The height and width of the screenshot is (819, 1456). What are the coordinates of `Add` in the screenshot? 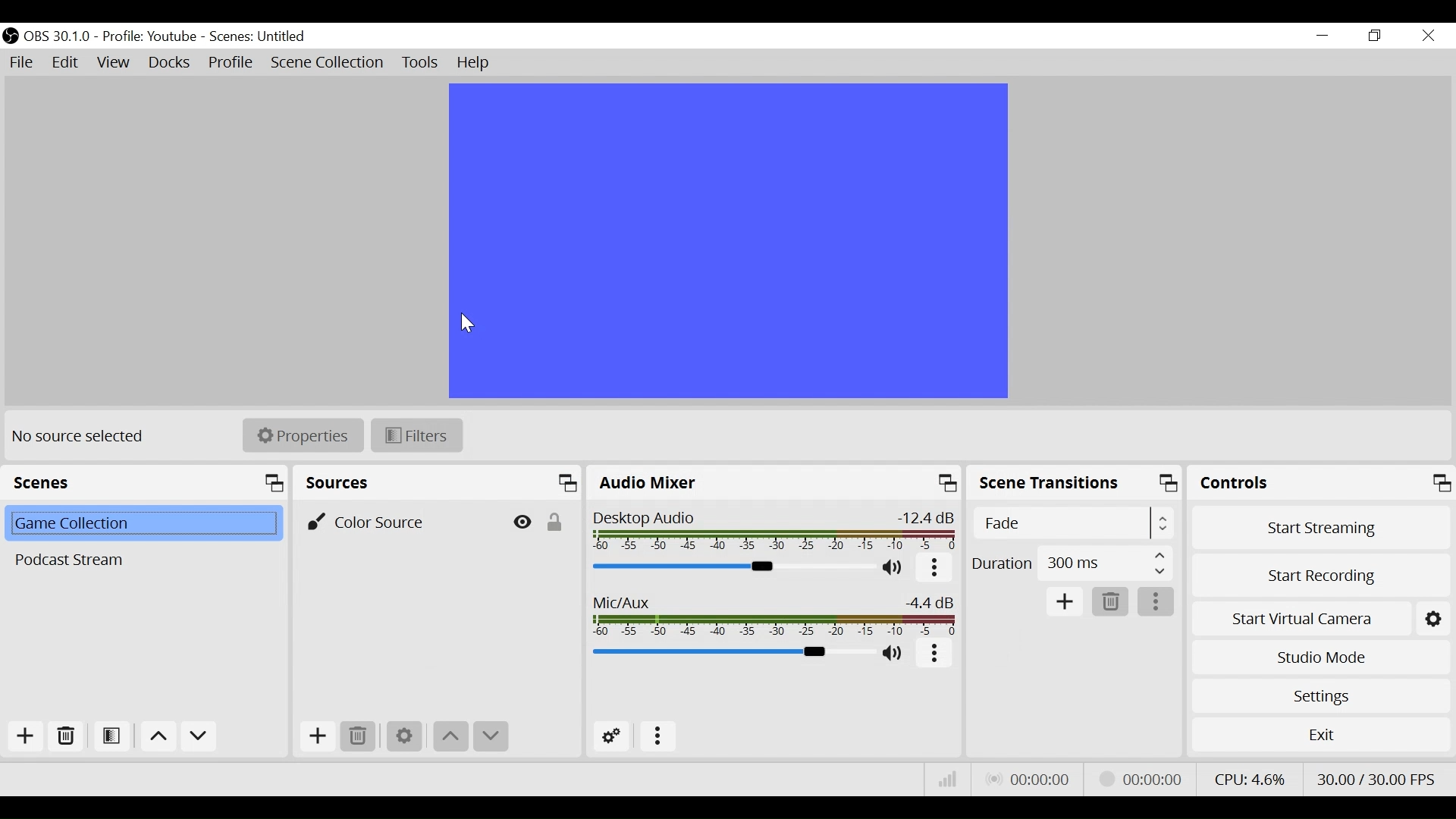 It's located at (1065, 602).